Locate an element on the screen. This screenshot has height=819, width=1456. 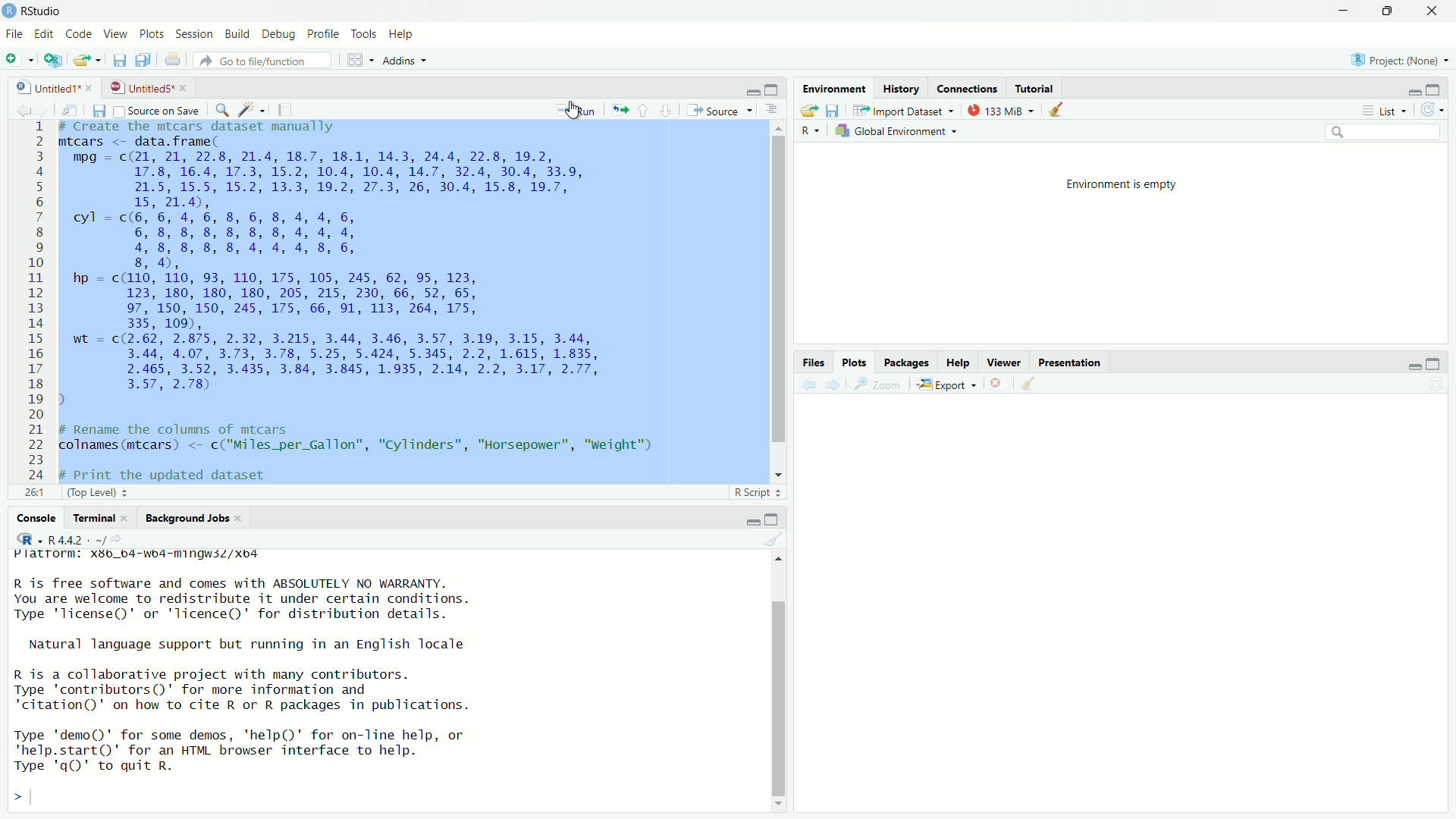
Console is located at coordinates (34, 517).